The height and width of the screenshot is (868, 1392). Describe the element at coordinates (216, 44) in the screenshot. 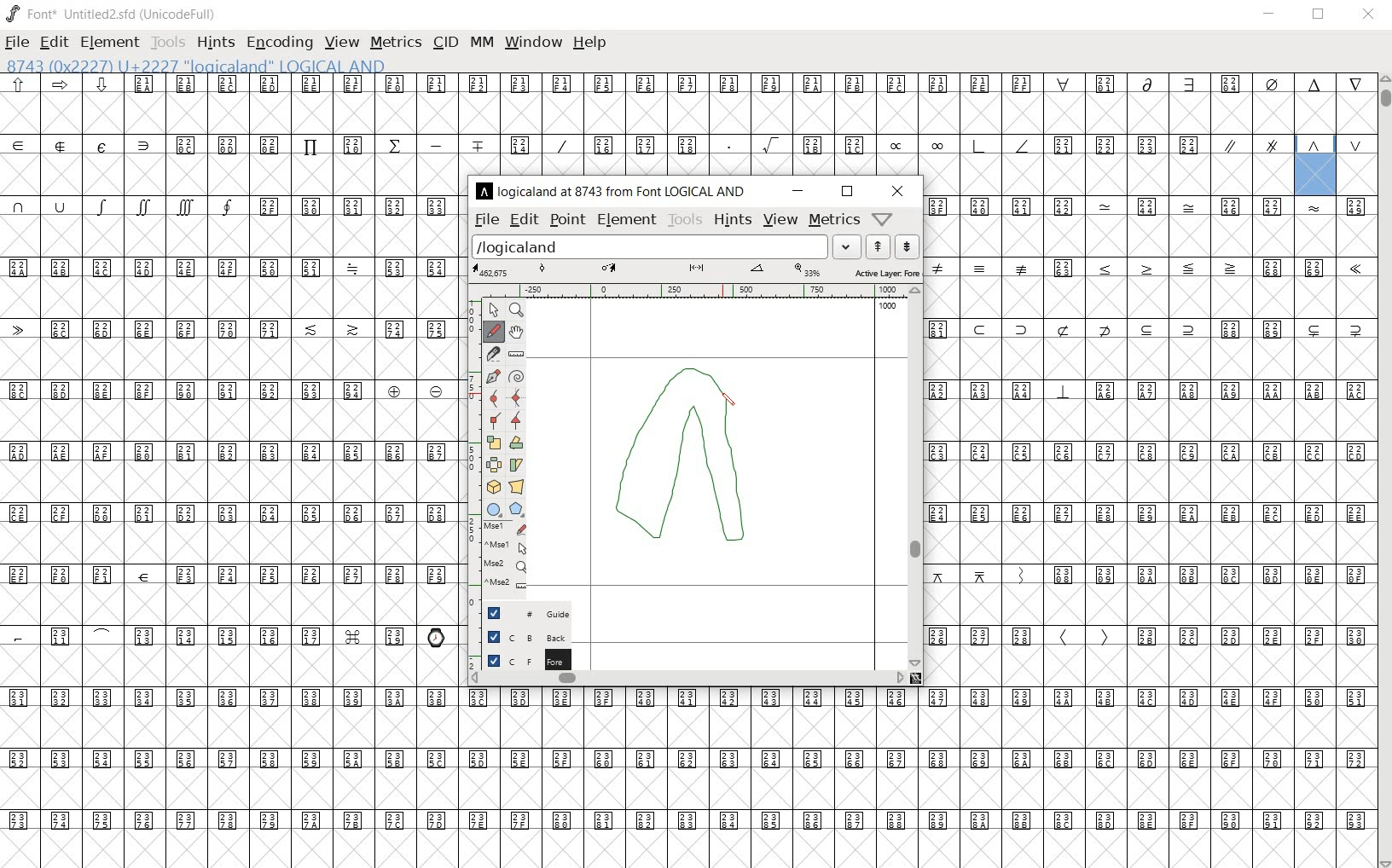

I see `hints` at that location.